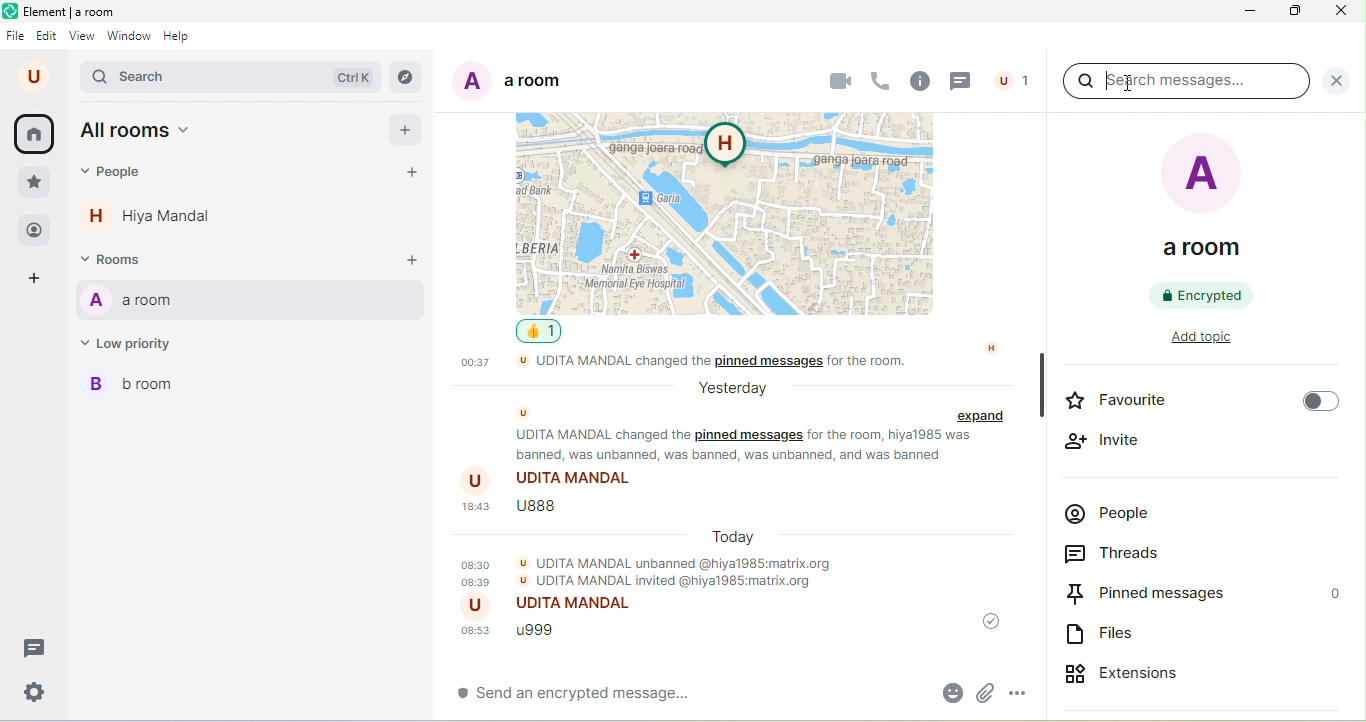  Describe the element at coordinates (881, 78) in the screenshot. I see `voice call` at that location.